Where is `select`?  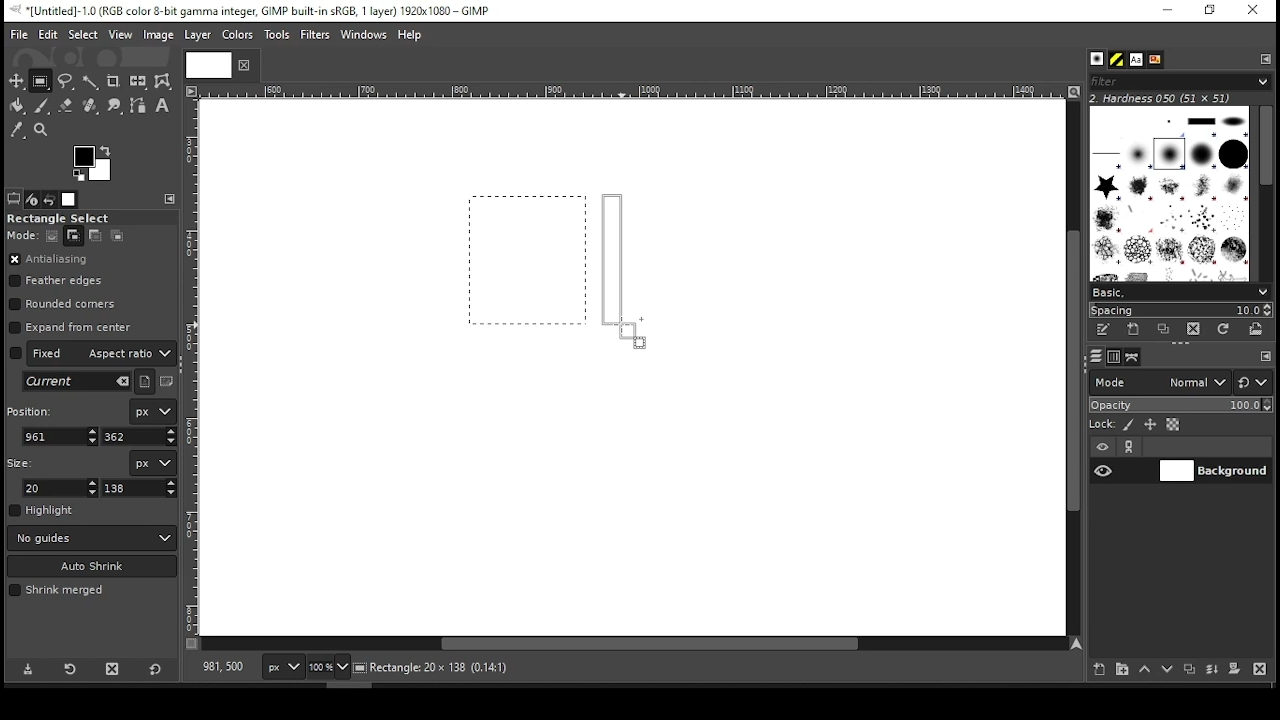
select is located at coordinates (82, 33).